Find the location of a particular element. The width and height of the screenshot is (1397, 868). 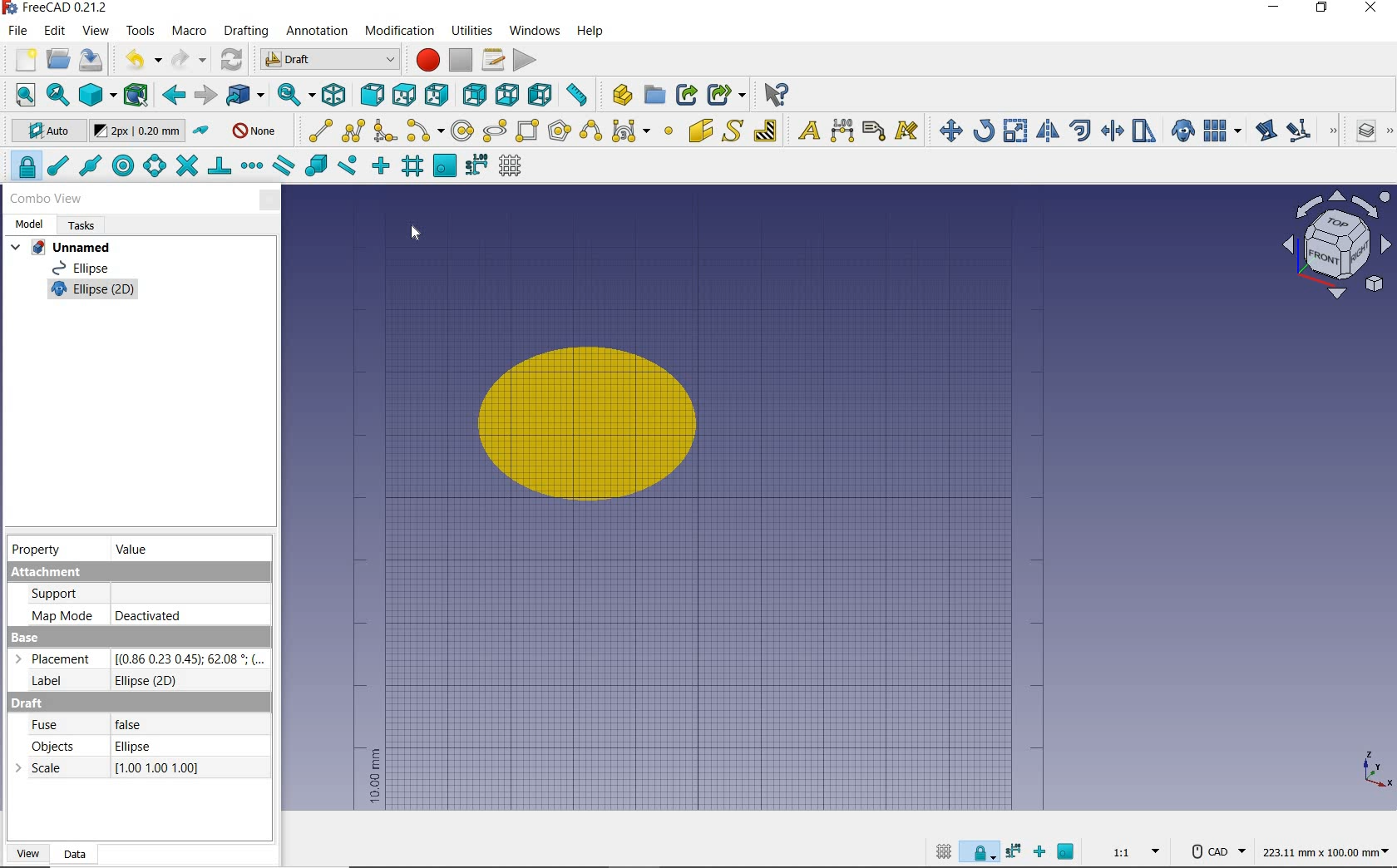

label is located at coordinates (874, 131).